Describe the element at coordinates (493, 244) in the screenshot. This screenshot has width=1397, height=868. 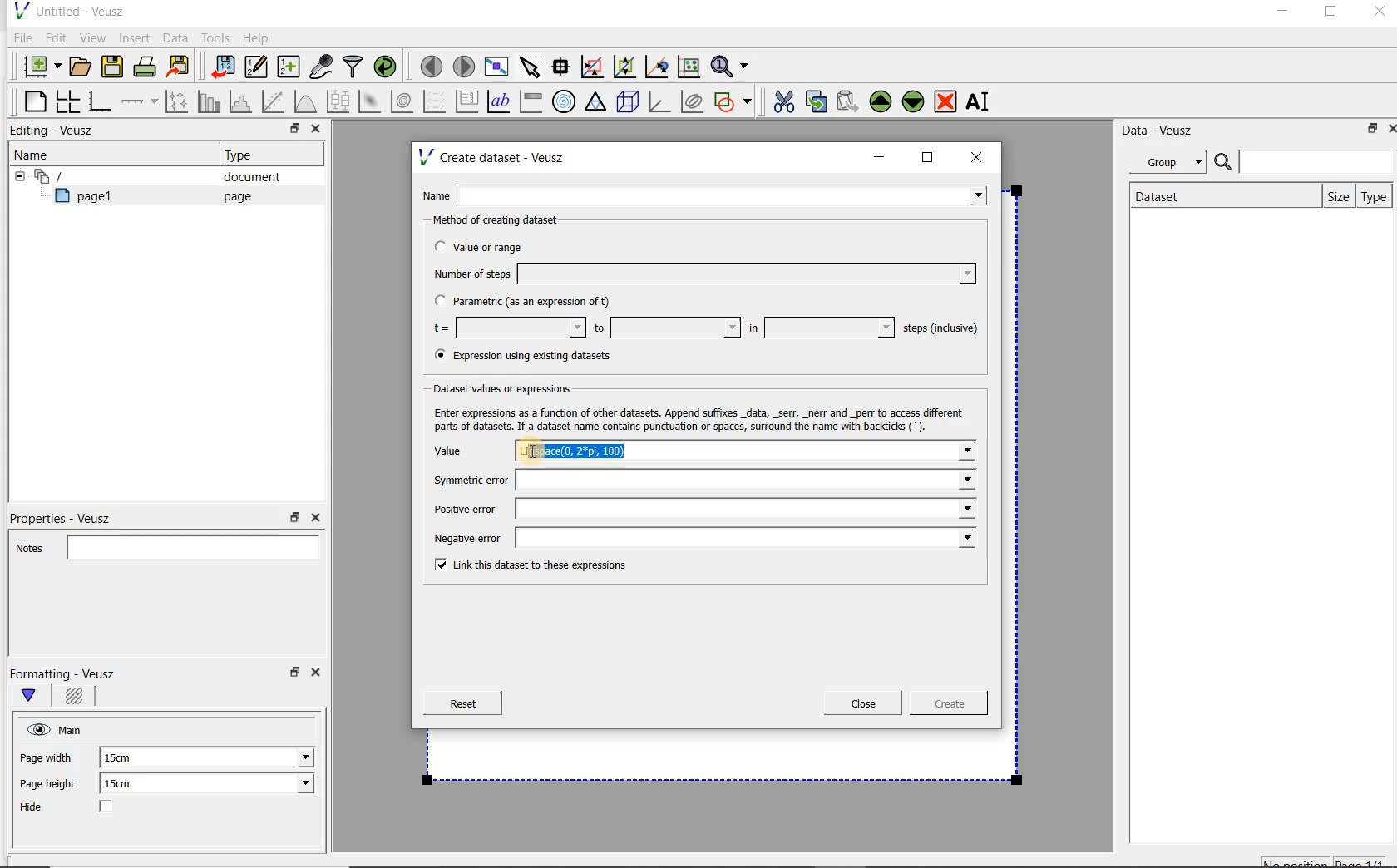
I see `Value or range` at that location.